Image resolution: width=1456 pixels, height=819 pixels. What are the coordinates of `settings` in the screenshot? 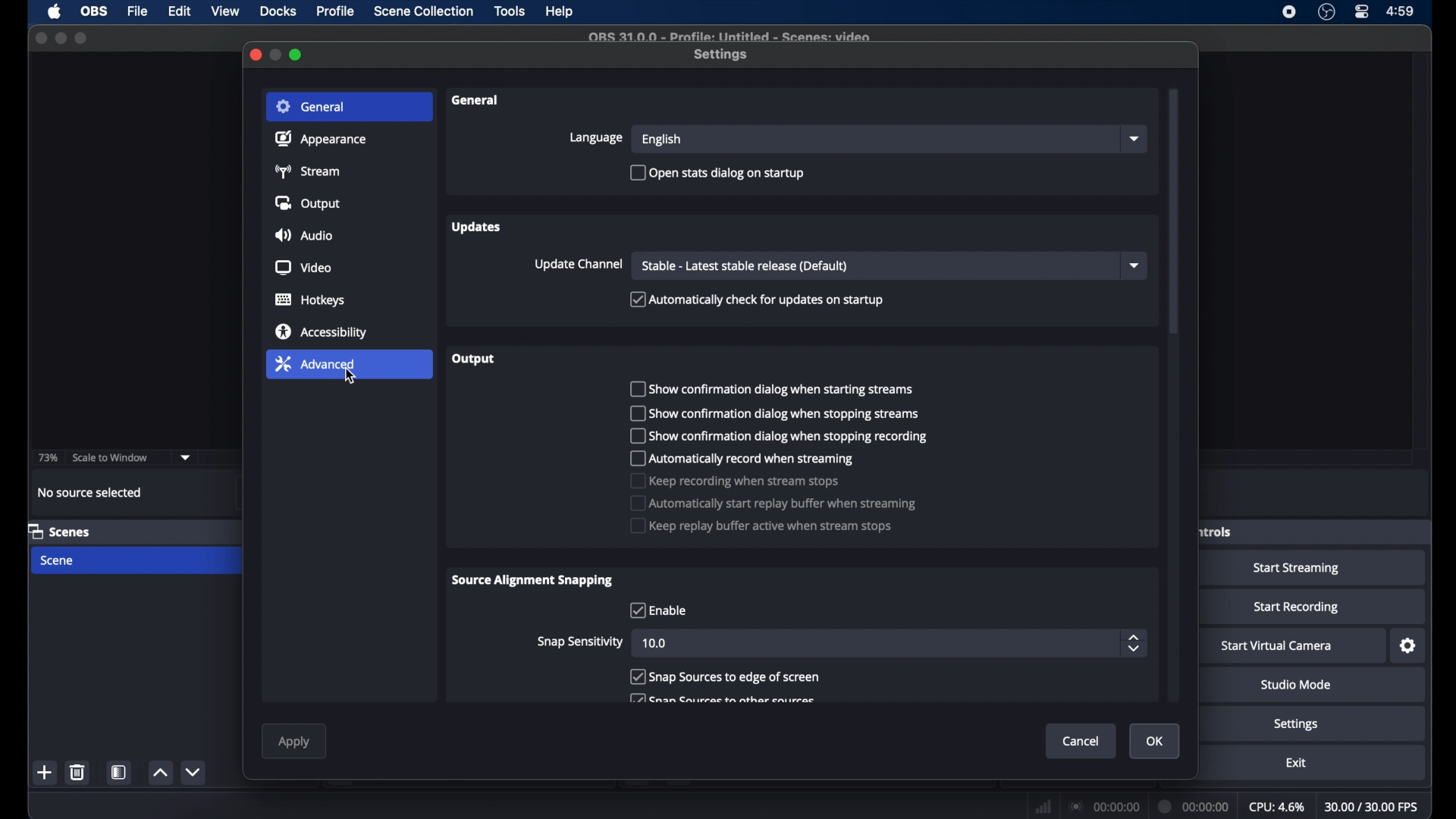 It's located at (1407, 646).